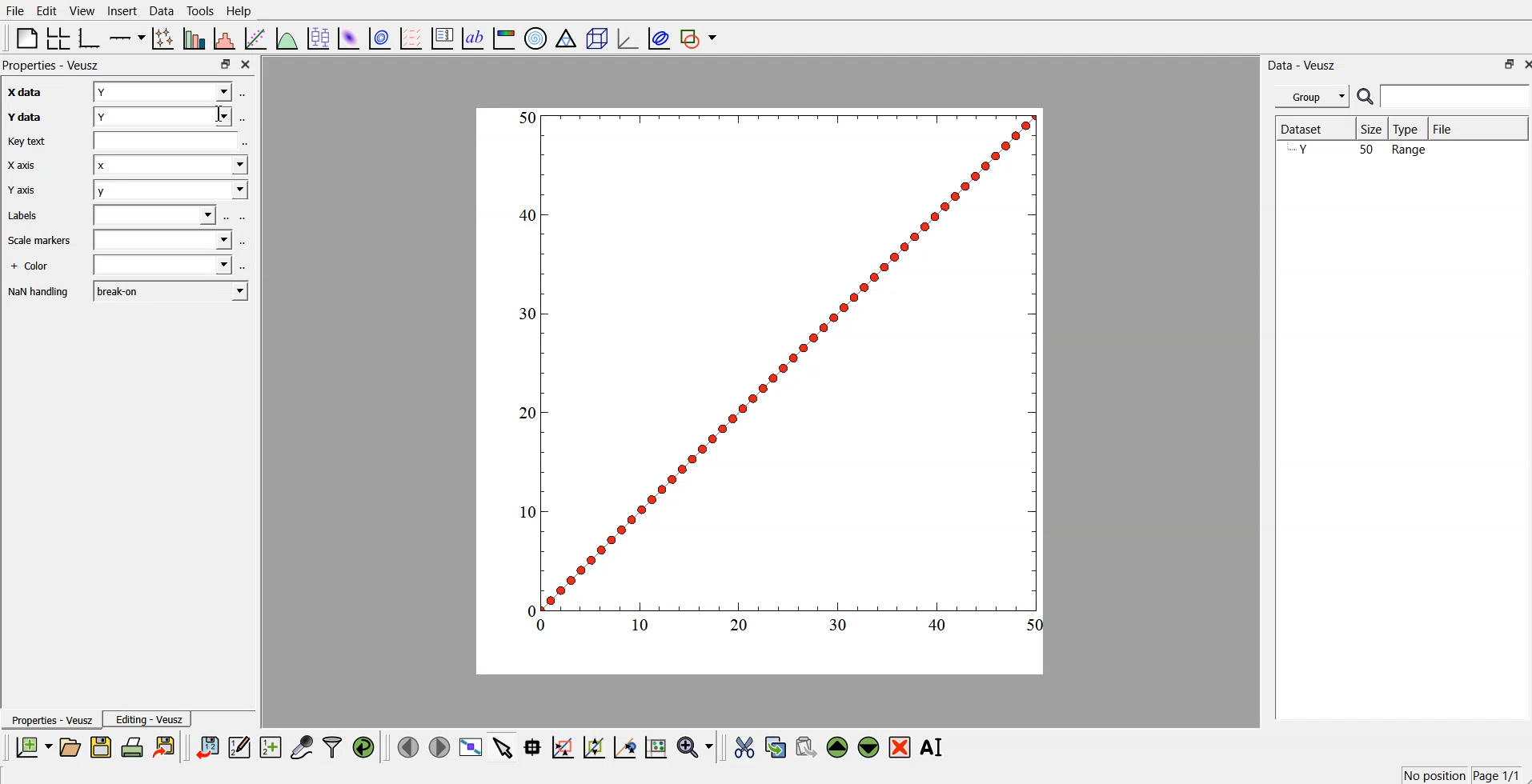 This screenshot has height=784, width=1532. Describe the element at coordinates (1432, 774) in the screenshot. I see `no position` at that location.